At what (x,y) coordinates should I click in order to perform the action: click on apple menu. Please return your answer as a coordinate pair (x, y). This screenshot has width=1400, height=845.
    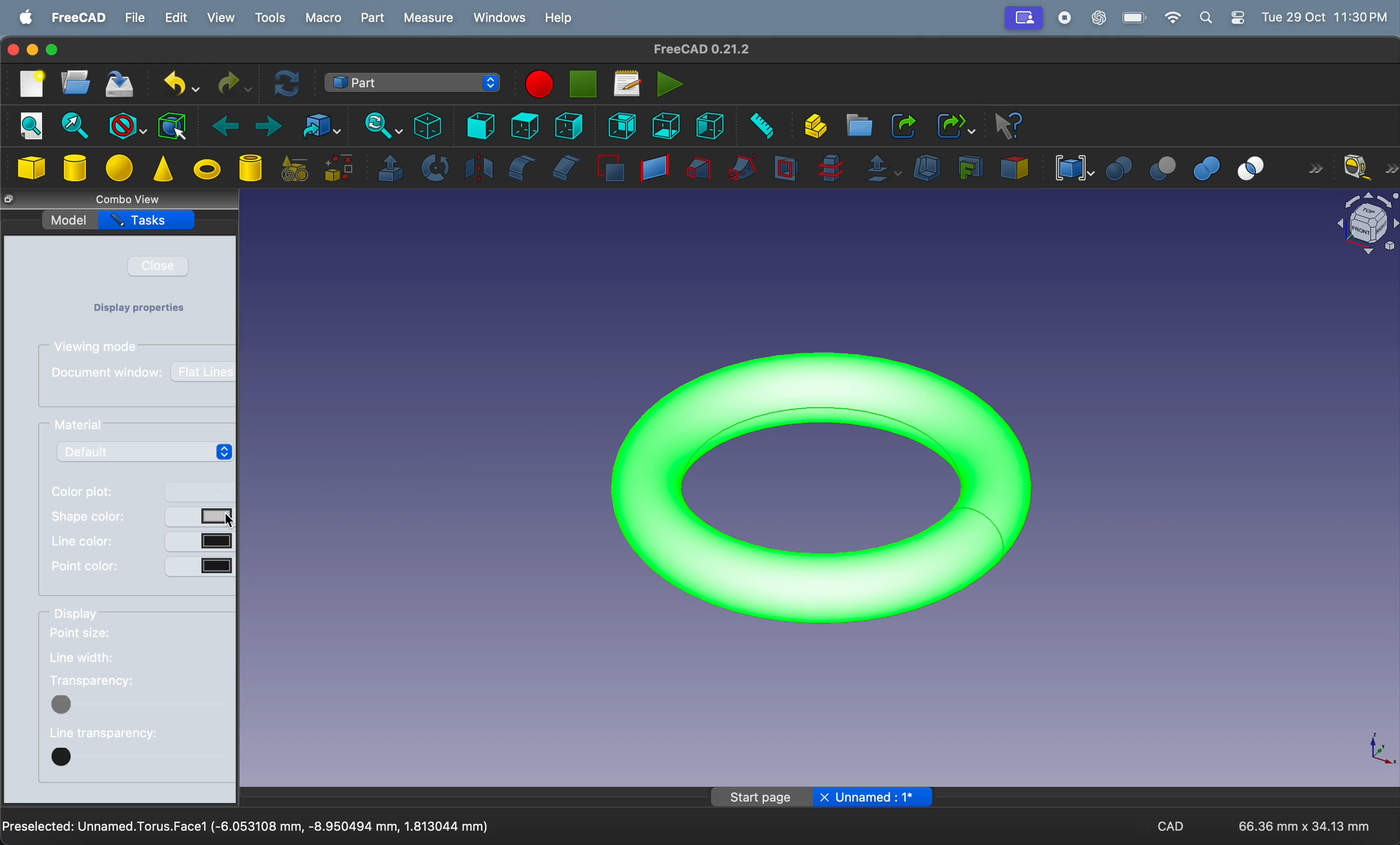
    Looking at the image, I should click on (22, 16).